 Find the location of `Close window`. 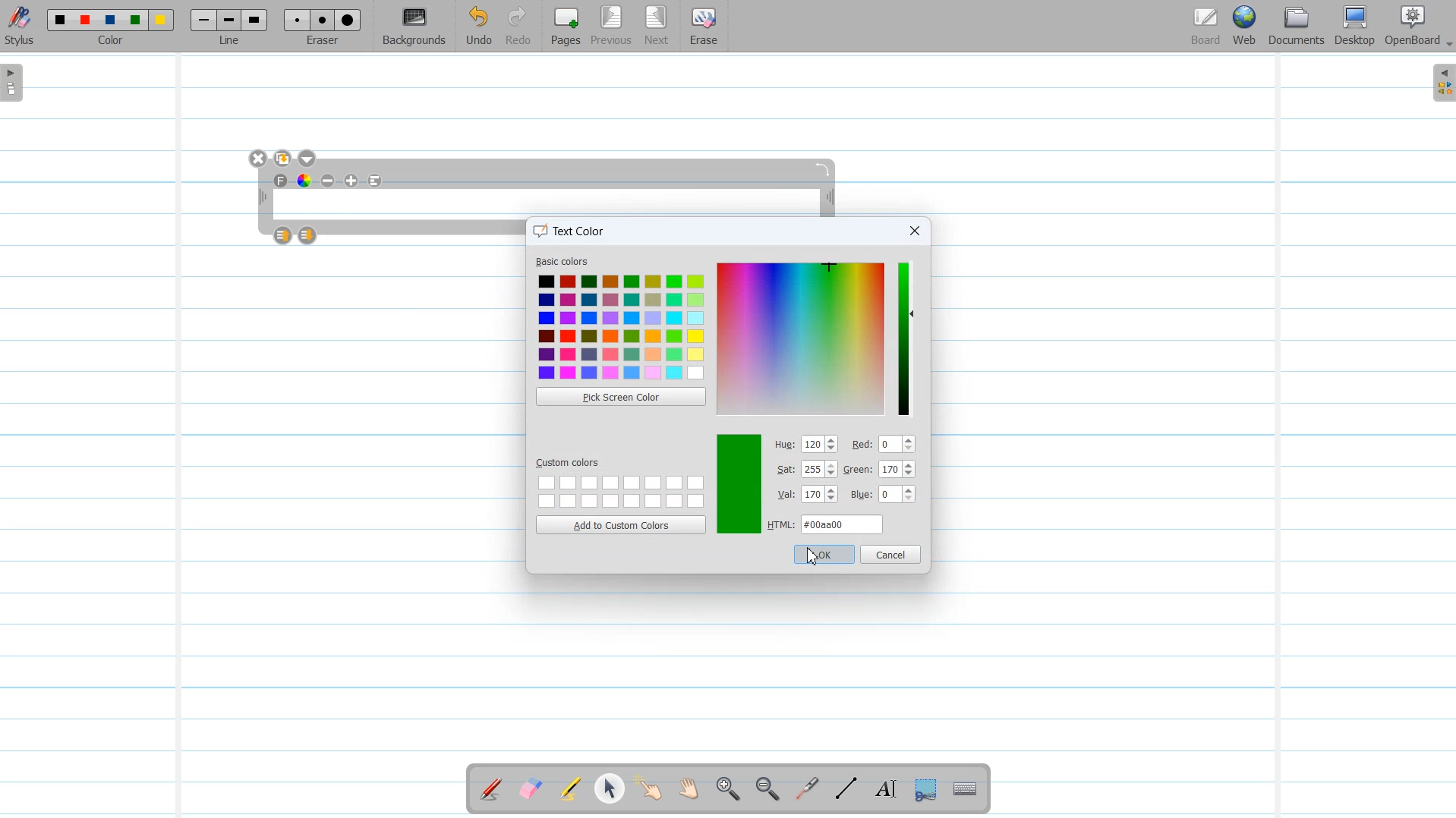

Close window is located at coordinates (913, 231).